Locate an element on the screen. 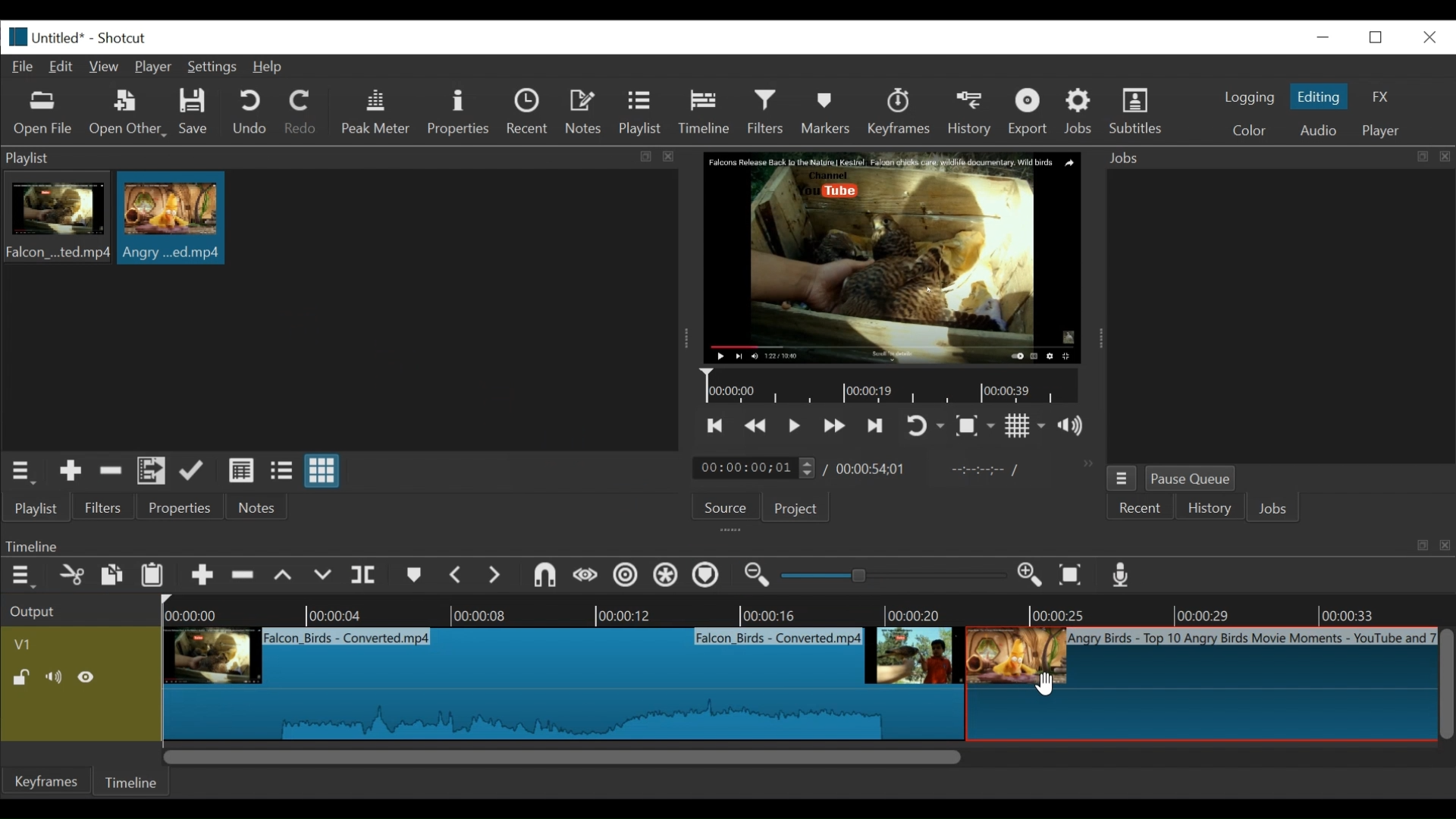 The width and height of the screenshot is (1456, 819). View is located at coordinates (105, 67).